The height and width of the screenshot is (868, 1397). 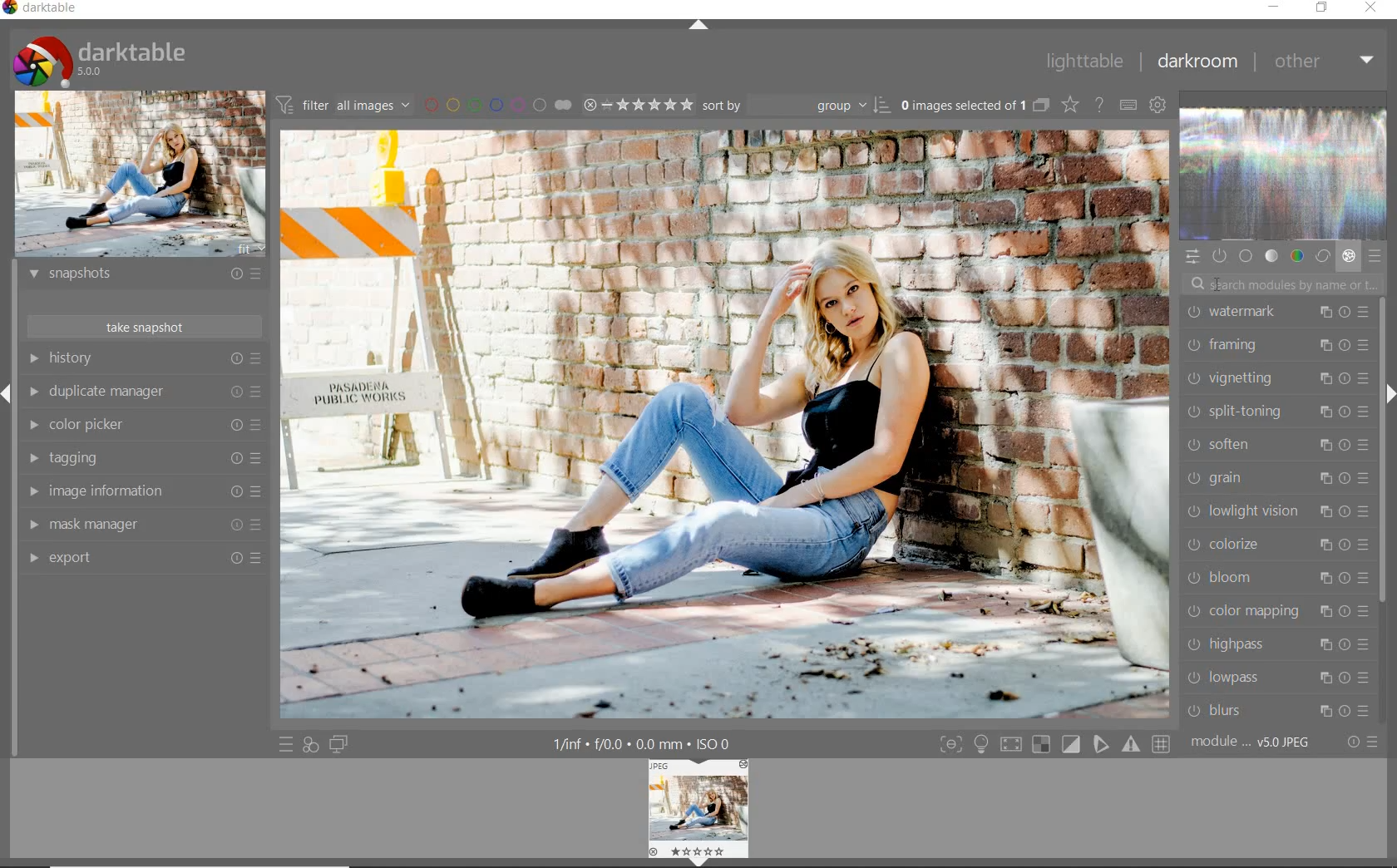 What do you see at coordinates (725, 425) in the screenshot?
I see `selected image` at bounding box center [725, 425].